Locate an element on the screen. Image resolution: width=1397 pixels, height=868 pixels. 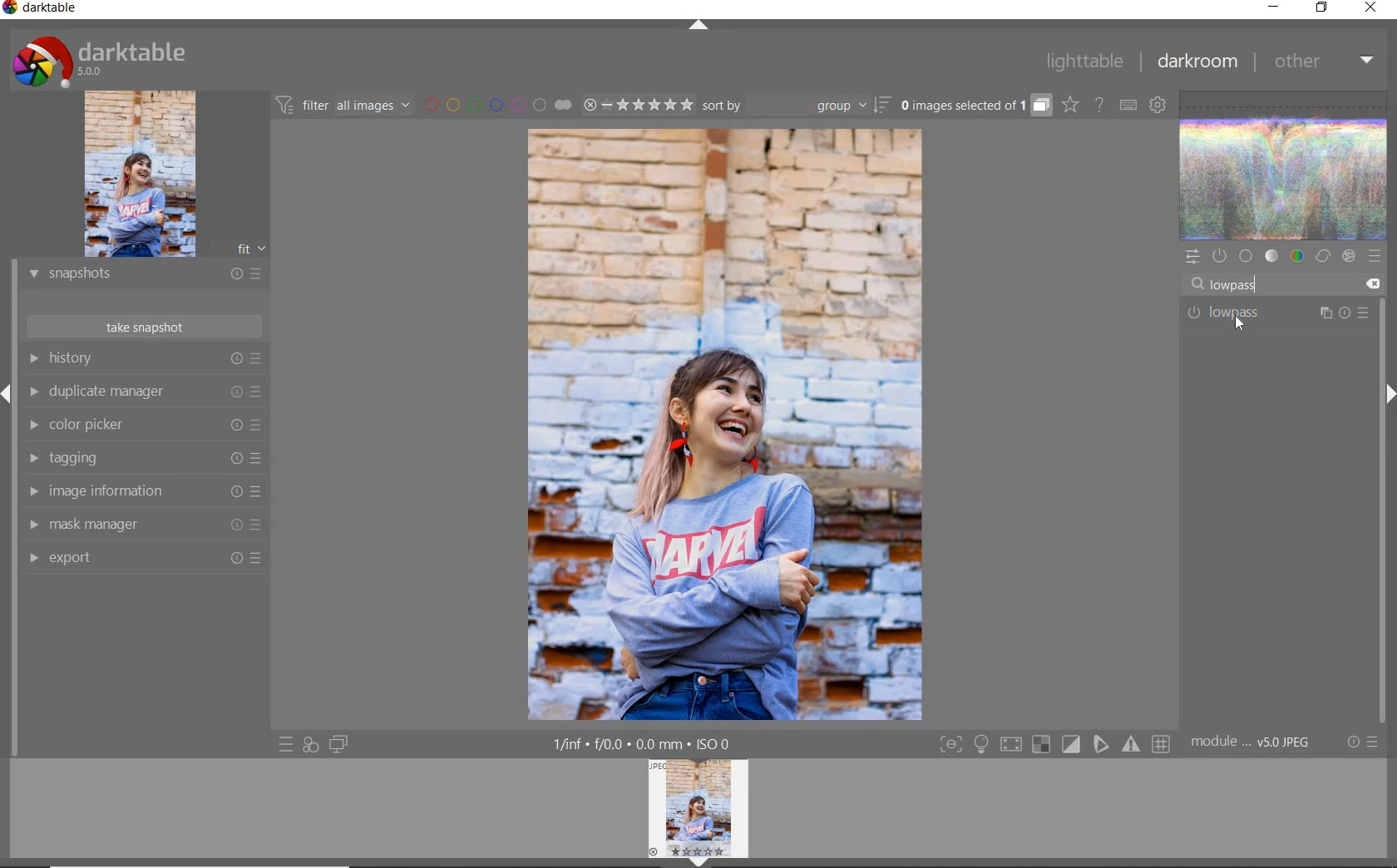
image preview is located at coordinates (165, 175).